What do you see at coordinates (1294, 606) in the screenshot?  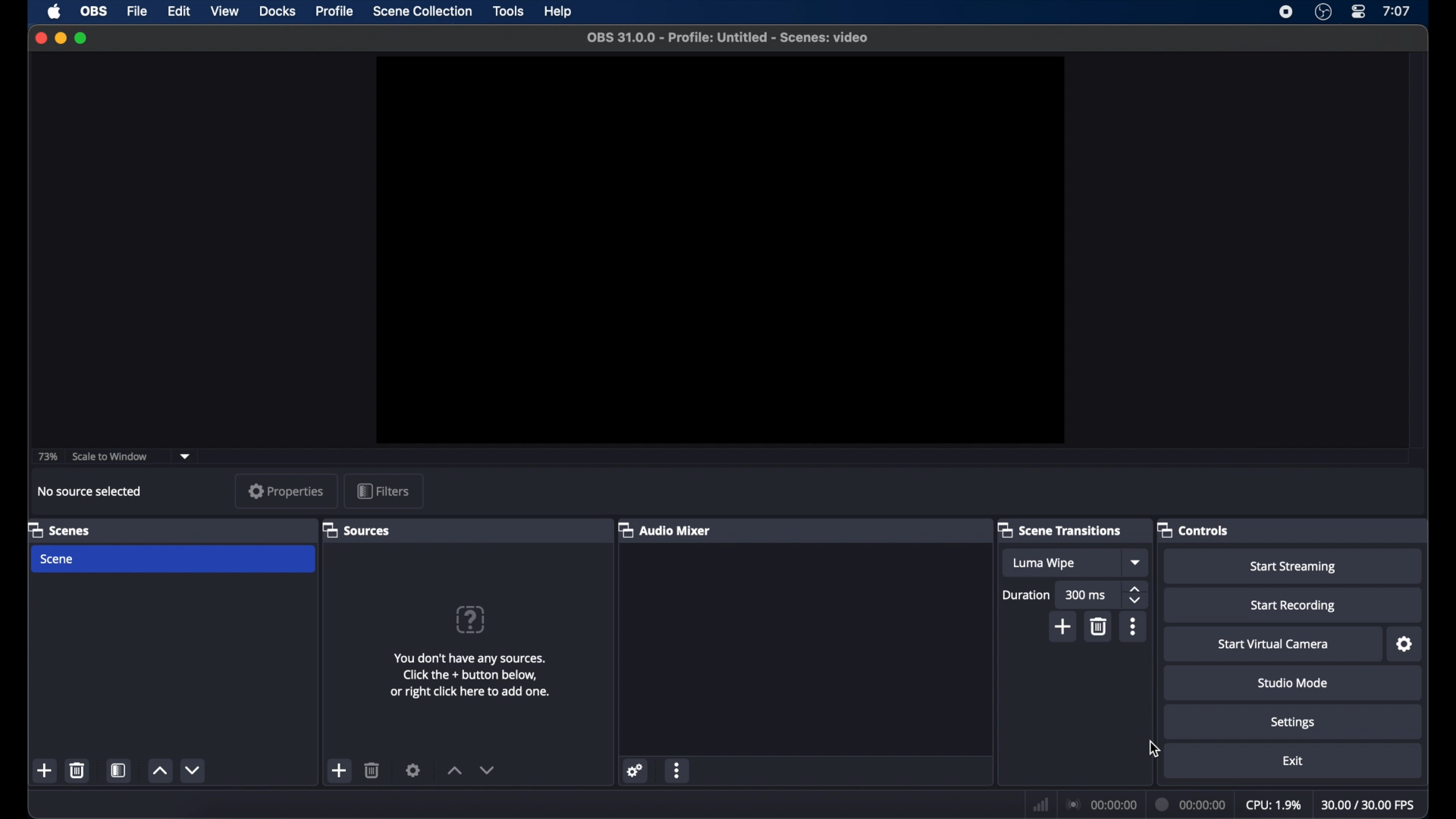 I see `start recording` at bounding box center [1294, 606].